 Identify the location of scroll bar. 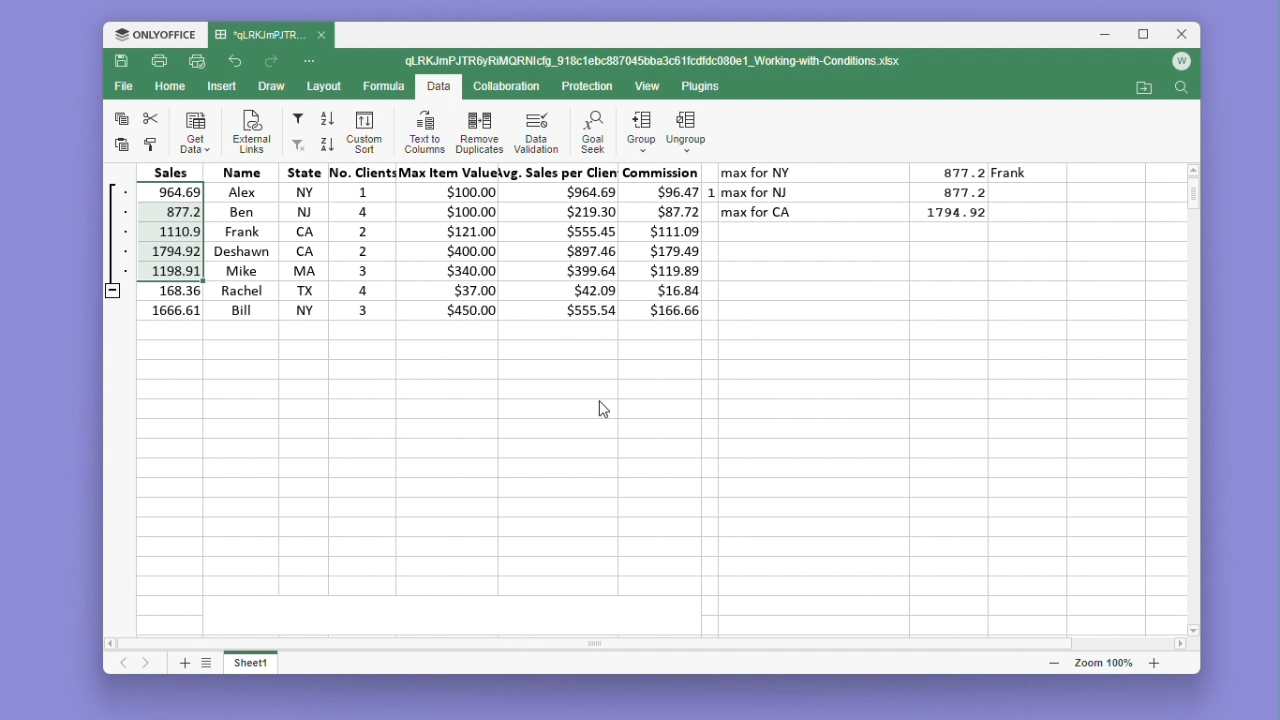
(624, 642).